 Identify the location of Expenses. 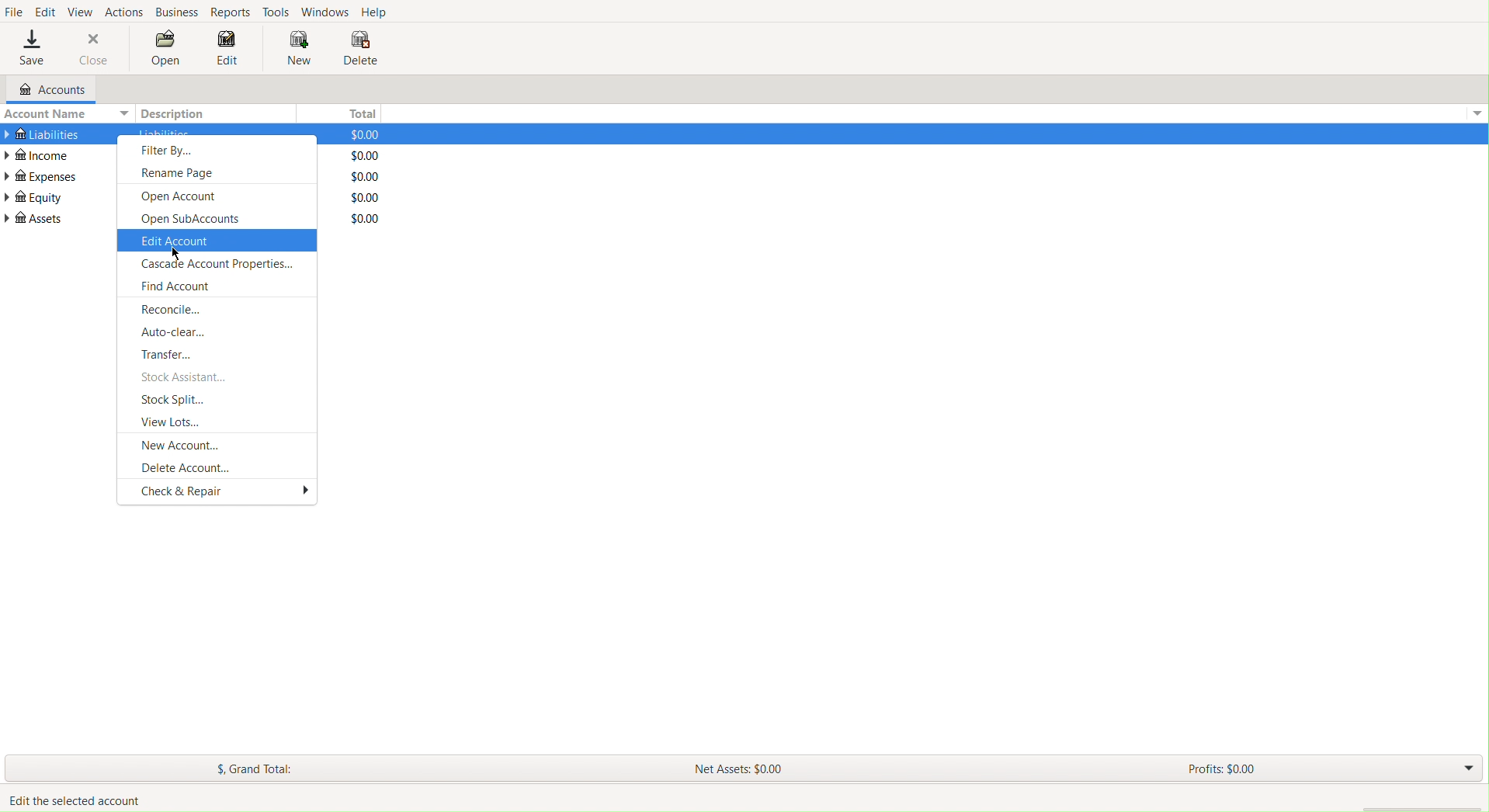
(42, 176).